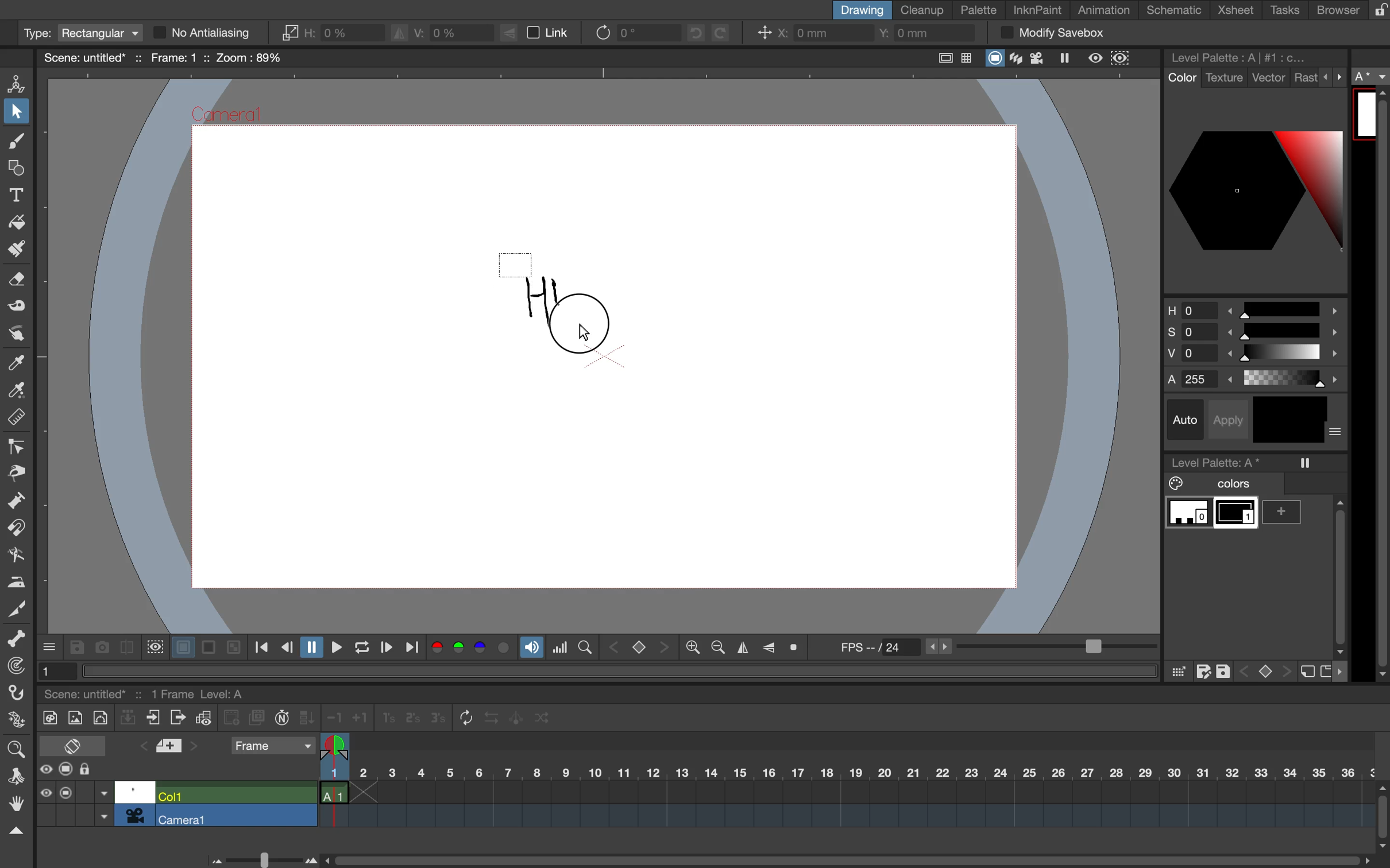  What do you see at coordinates (80, 33) in the screenshot?
I see `type rectangular` at bounding box center [80, 33].